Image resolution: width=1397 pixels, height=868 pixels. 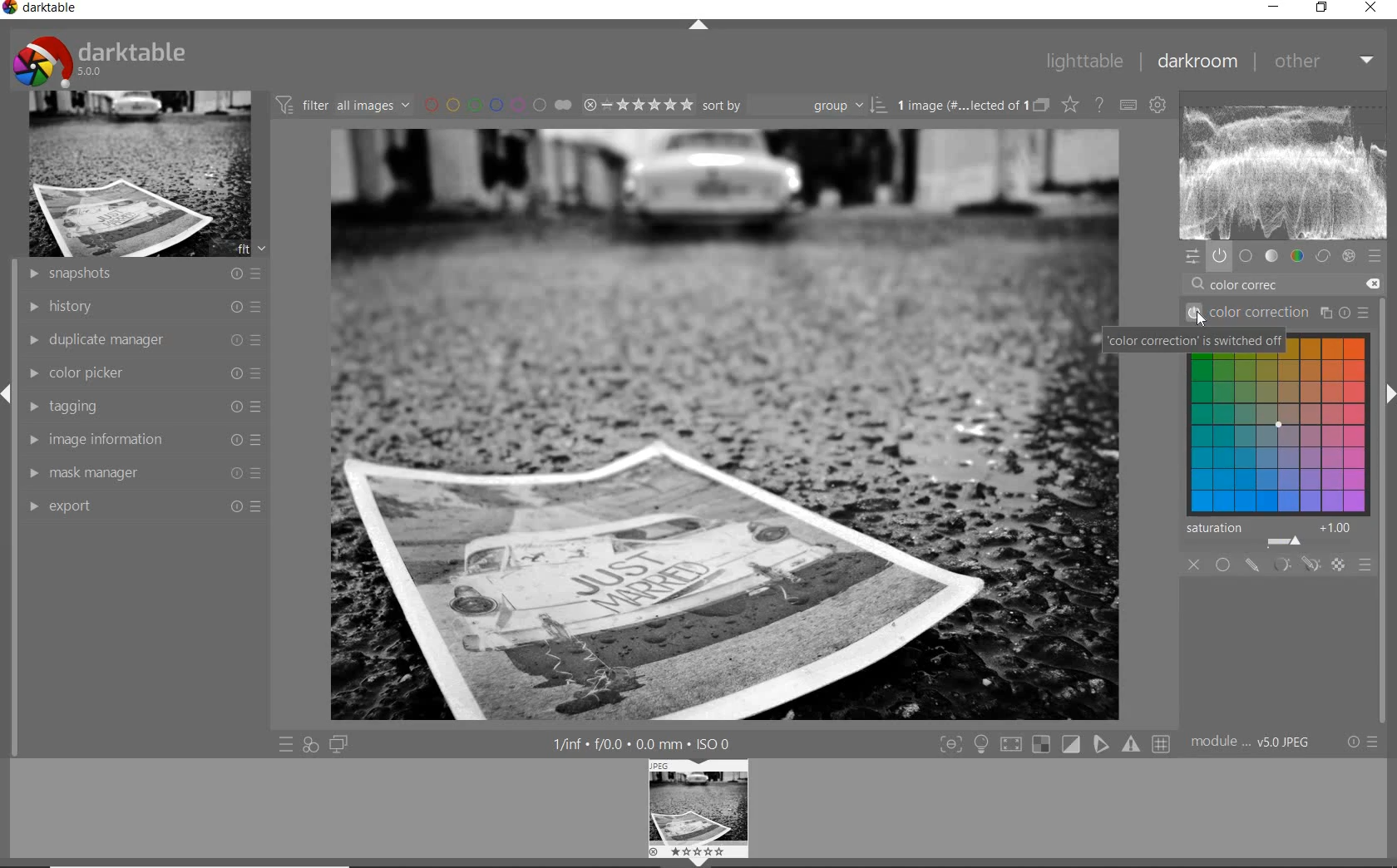 I want to click on base, so click(x=1246, y=257).